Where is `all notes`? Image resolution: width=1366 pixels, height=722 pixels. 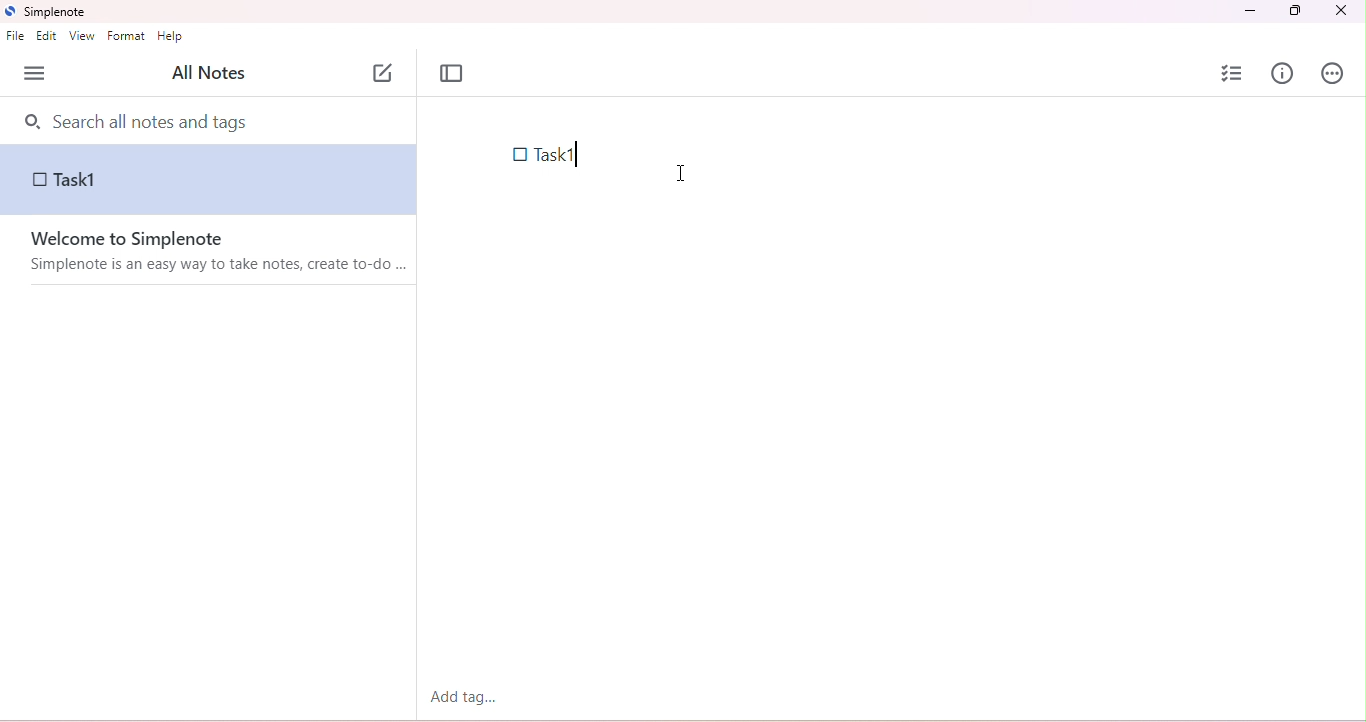
all notes is located at coordinates (207, 74).